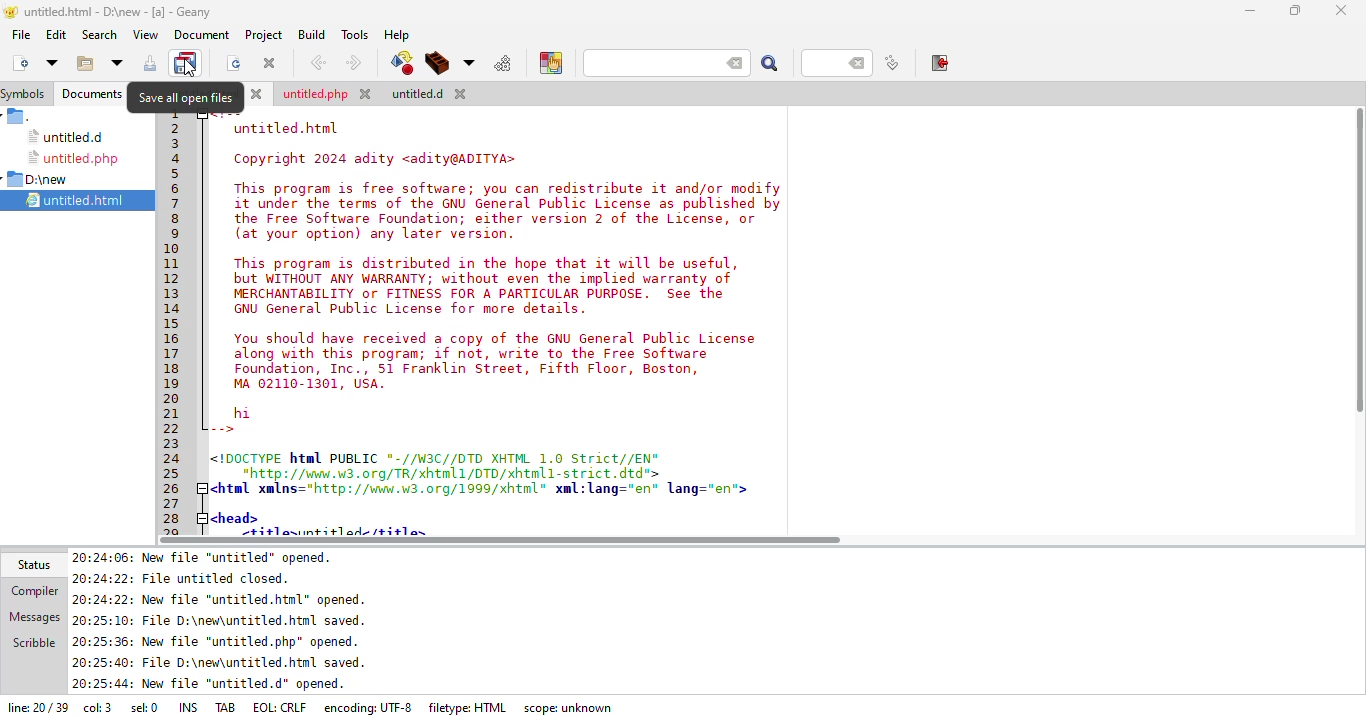 The width and height of the screenshot is (1366, 718). What do you see at coordinates (417, 95) in the screenshot?
I see `untitled` at bounding box center [417, 95].